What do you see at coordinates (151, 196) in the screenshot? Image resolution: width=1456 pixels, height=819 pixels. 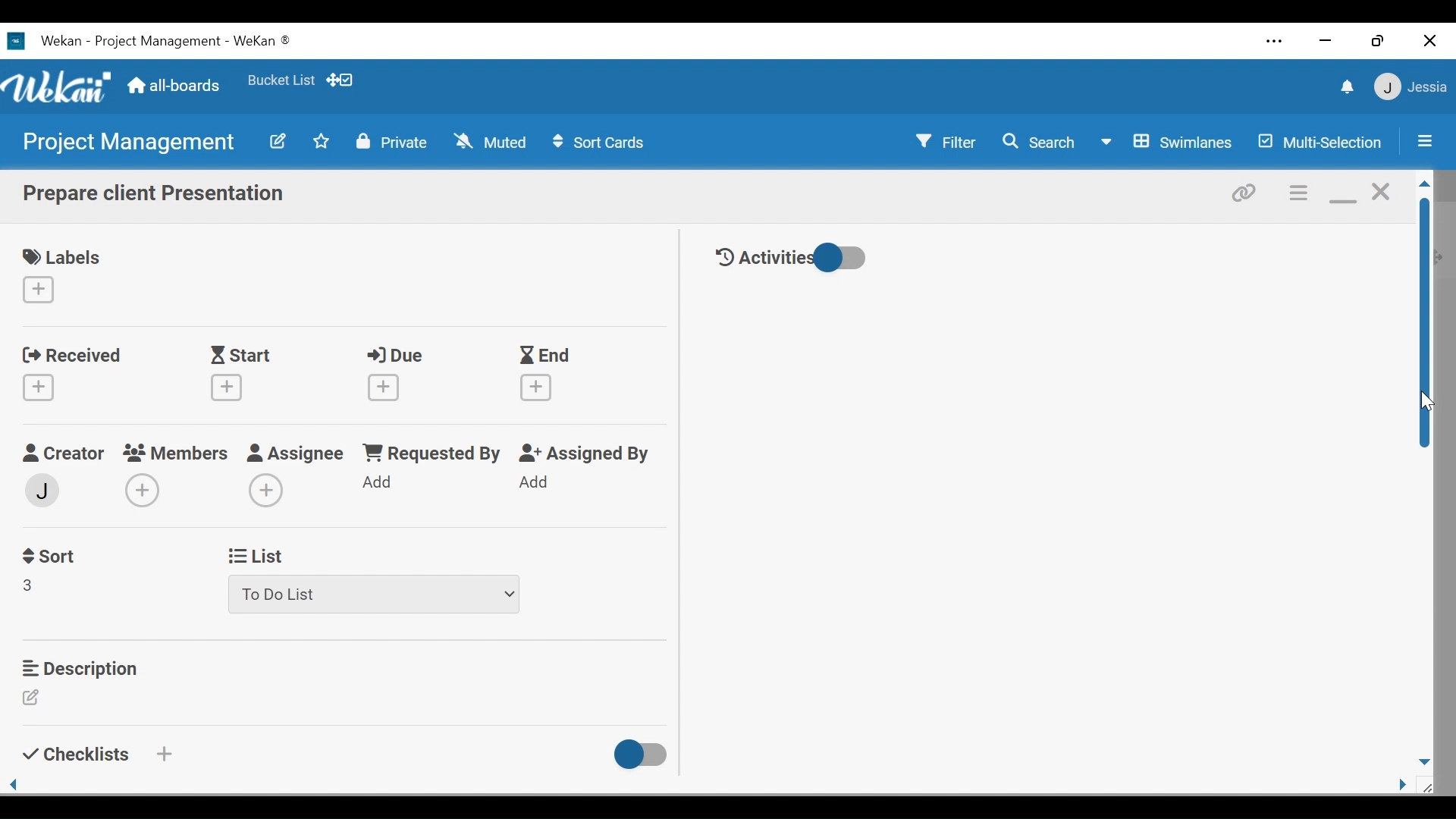 I see `Card Name` at bounding box center [151, 196].